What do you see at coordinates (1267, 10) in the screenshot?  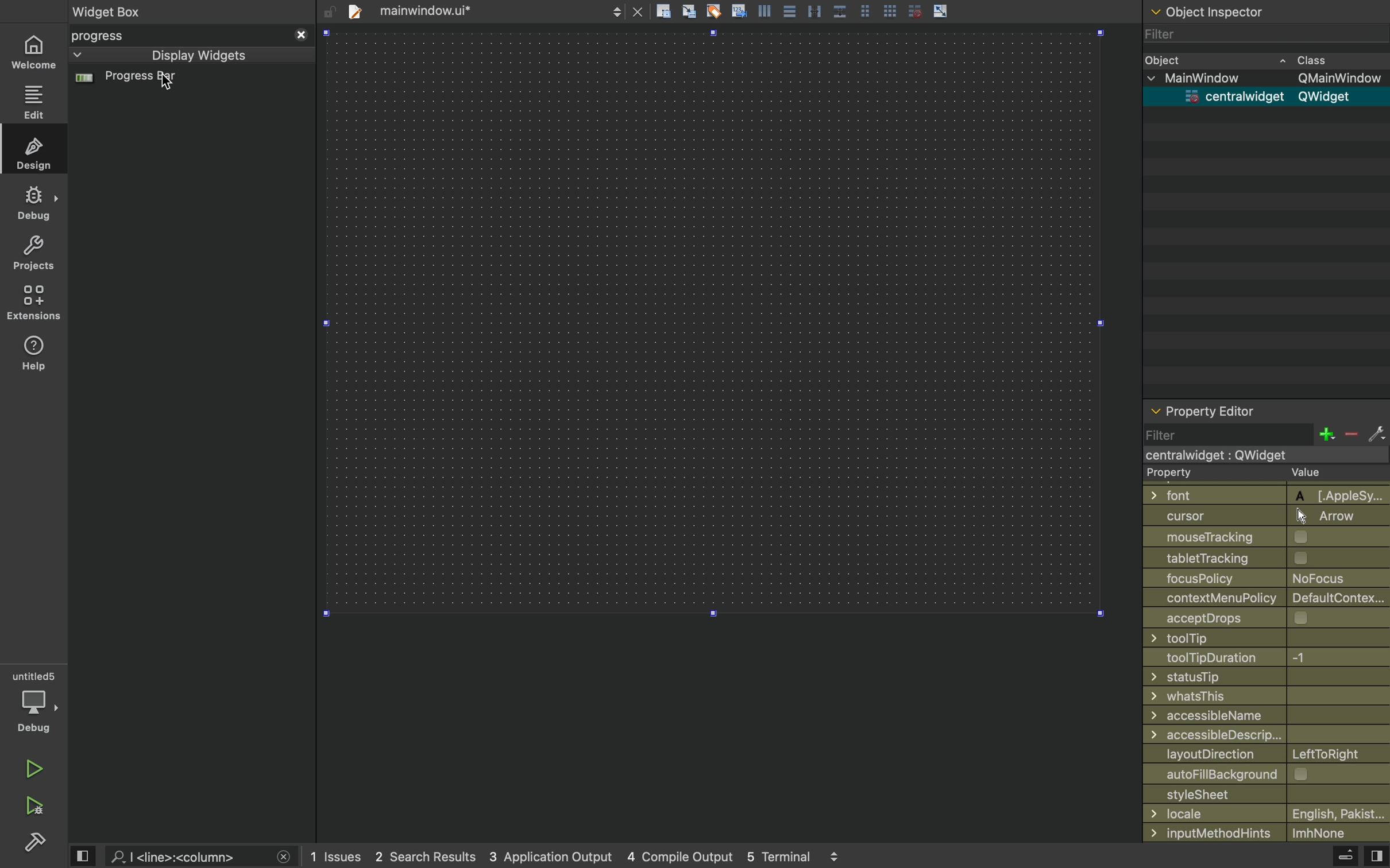 I see `Object inspector` at bounding box center [1267, 10].